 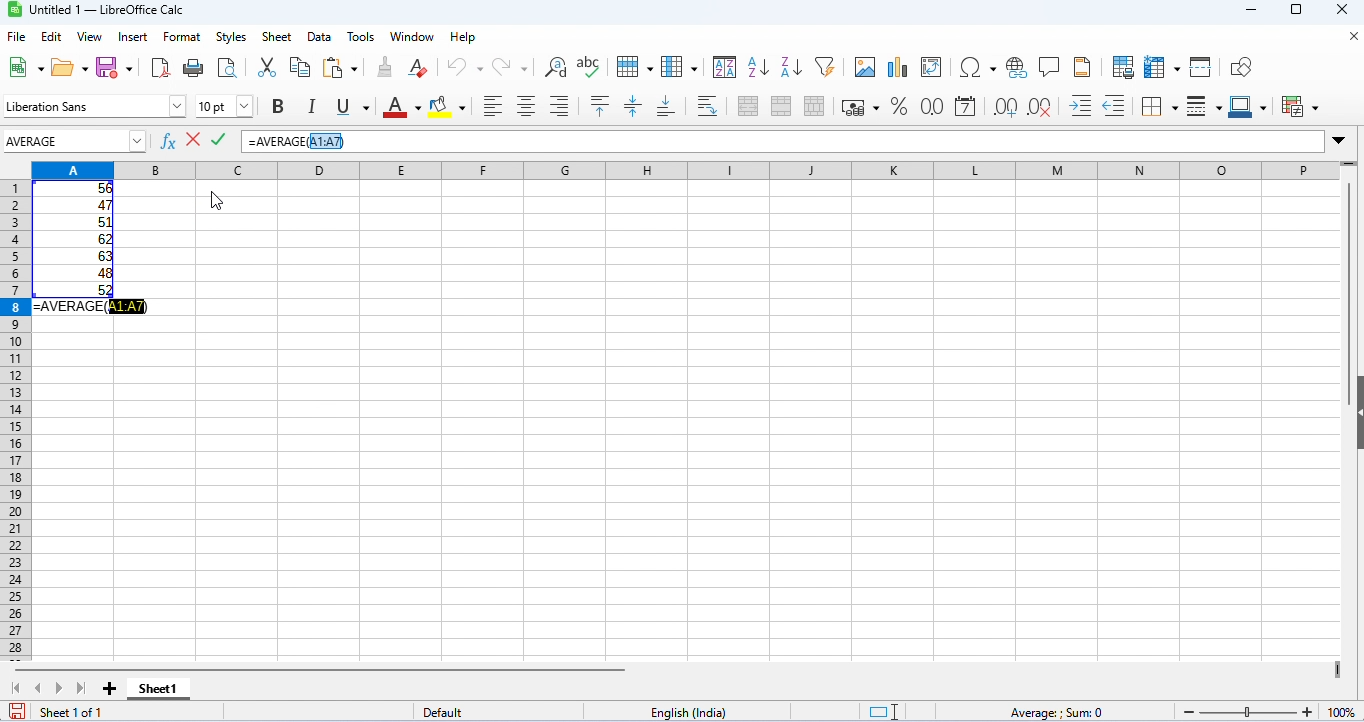 What do you see at coordinates (679, 66) in the screenshot?
I see `column` at bounding box center [679, 66].